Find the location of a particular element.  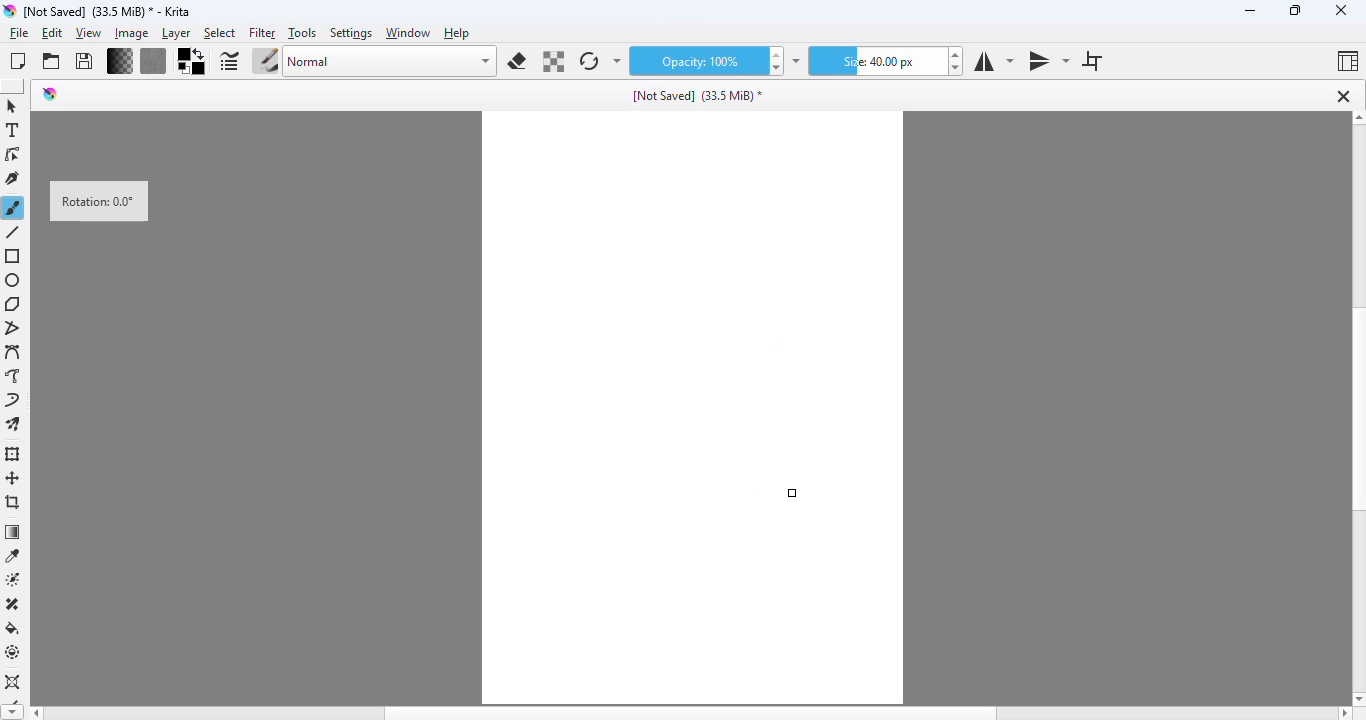

cursor is located at coordinates (793, 493).